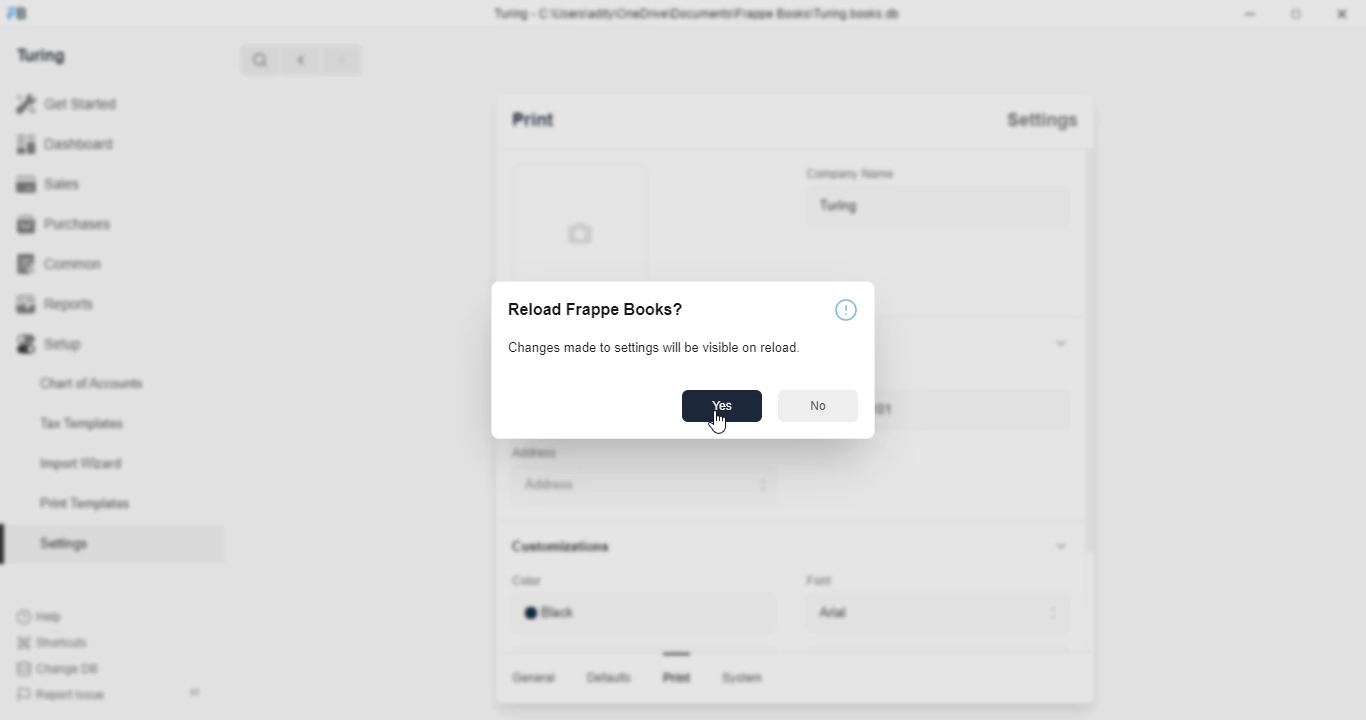 This screenshot has width=1366, height=720. What do you see at coordinates (25, 15) in the screenshot?
I see `frappe books logo` at bounding box center [25, 15].